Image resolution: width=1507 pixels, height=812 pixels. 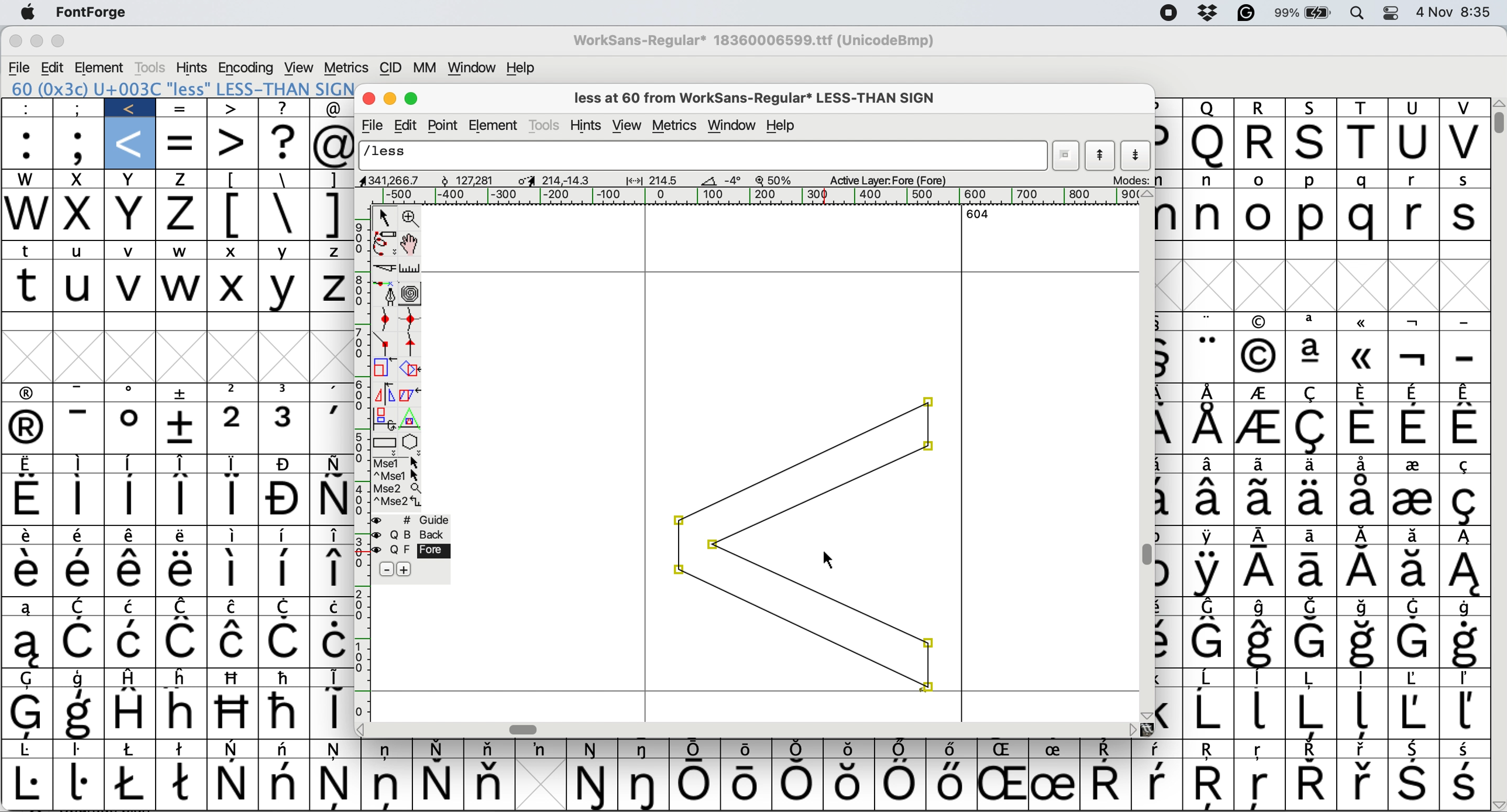 What do you see at coordinates (594, 749) in the screenshot?
I see `Symbol` at bounding box center [594, 749].